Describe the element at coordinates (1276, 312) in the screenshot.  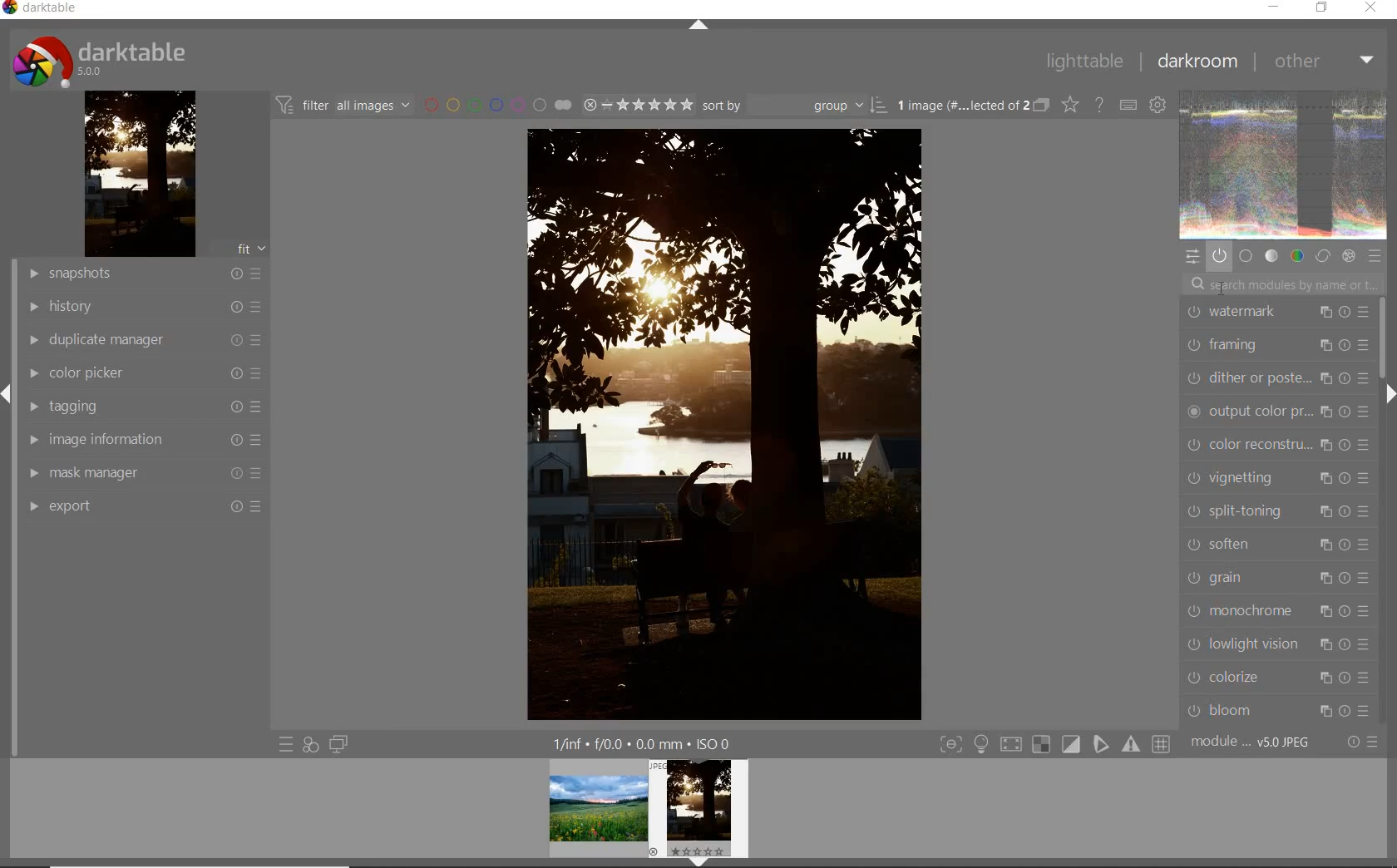
I see `watermark` at that location.